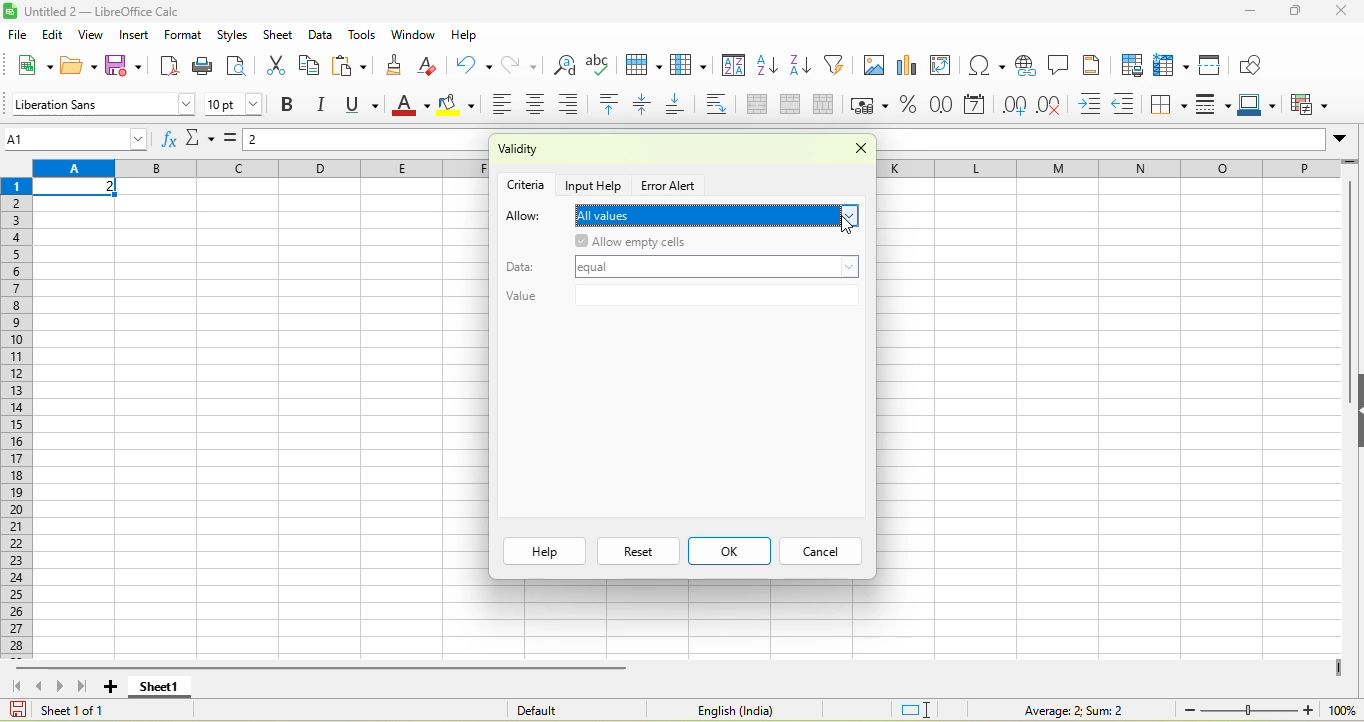 The height and width of the screenshot is (722, 1364). I want to click on help, so click(544, 551).